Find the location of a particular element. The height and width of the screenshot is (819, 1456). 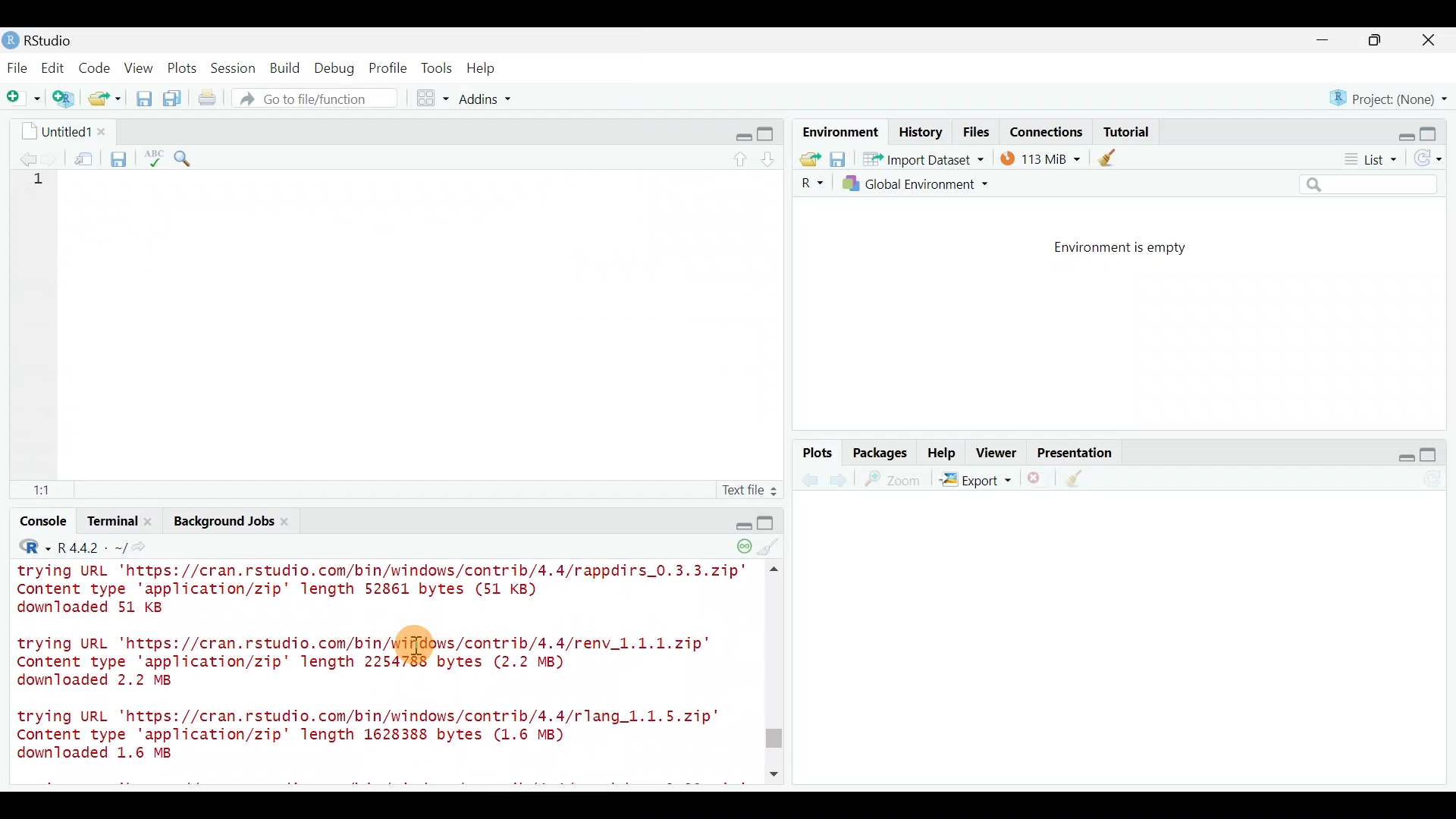

maximize is located at coordinates (768, 133).